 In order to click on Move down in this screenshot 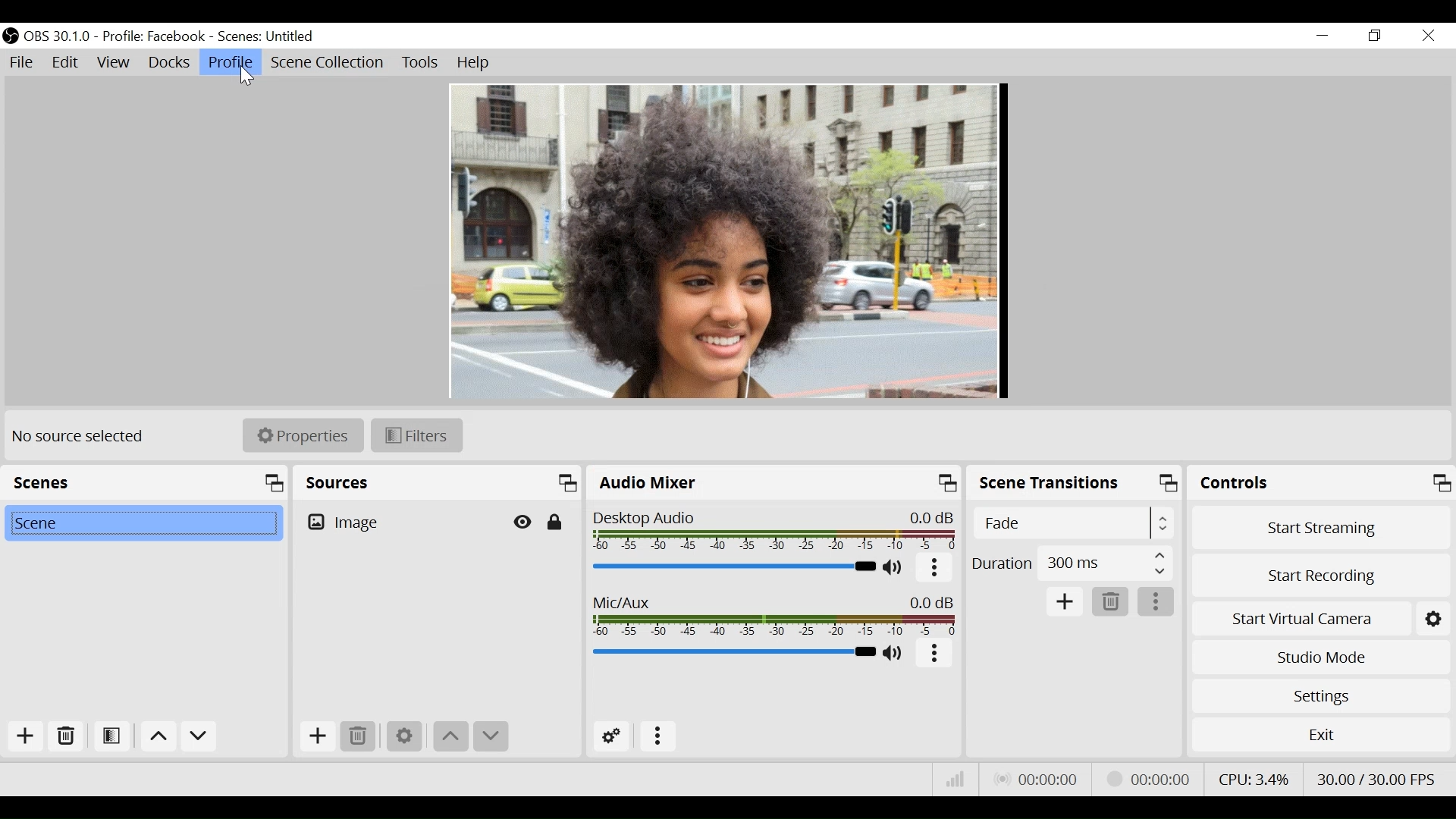, I will do `click(491, 736)`.